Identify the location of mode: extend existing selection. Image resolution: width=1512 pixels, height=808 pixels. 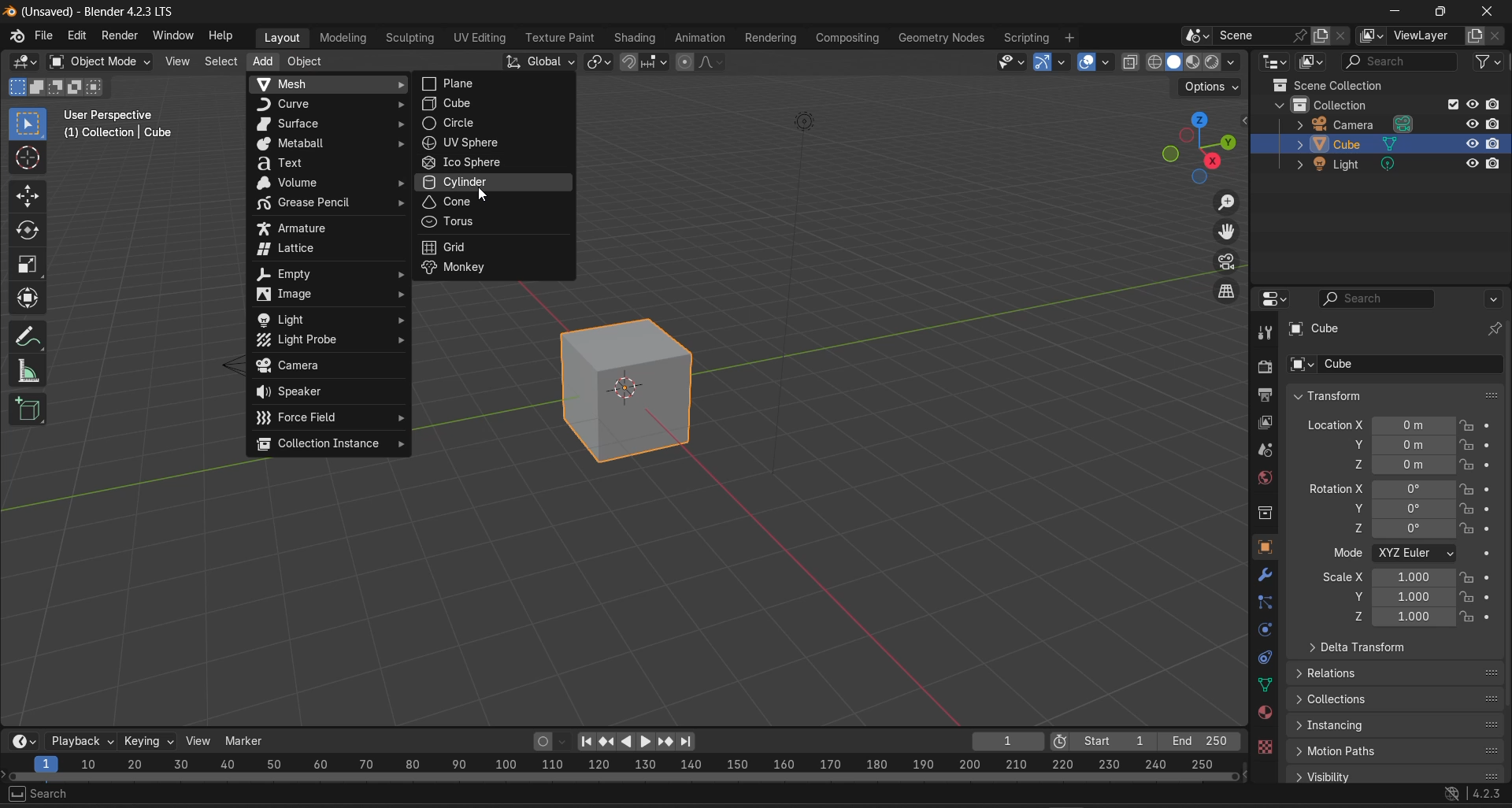
(36, 87).